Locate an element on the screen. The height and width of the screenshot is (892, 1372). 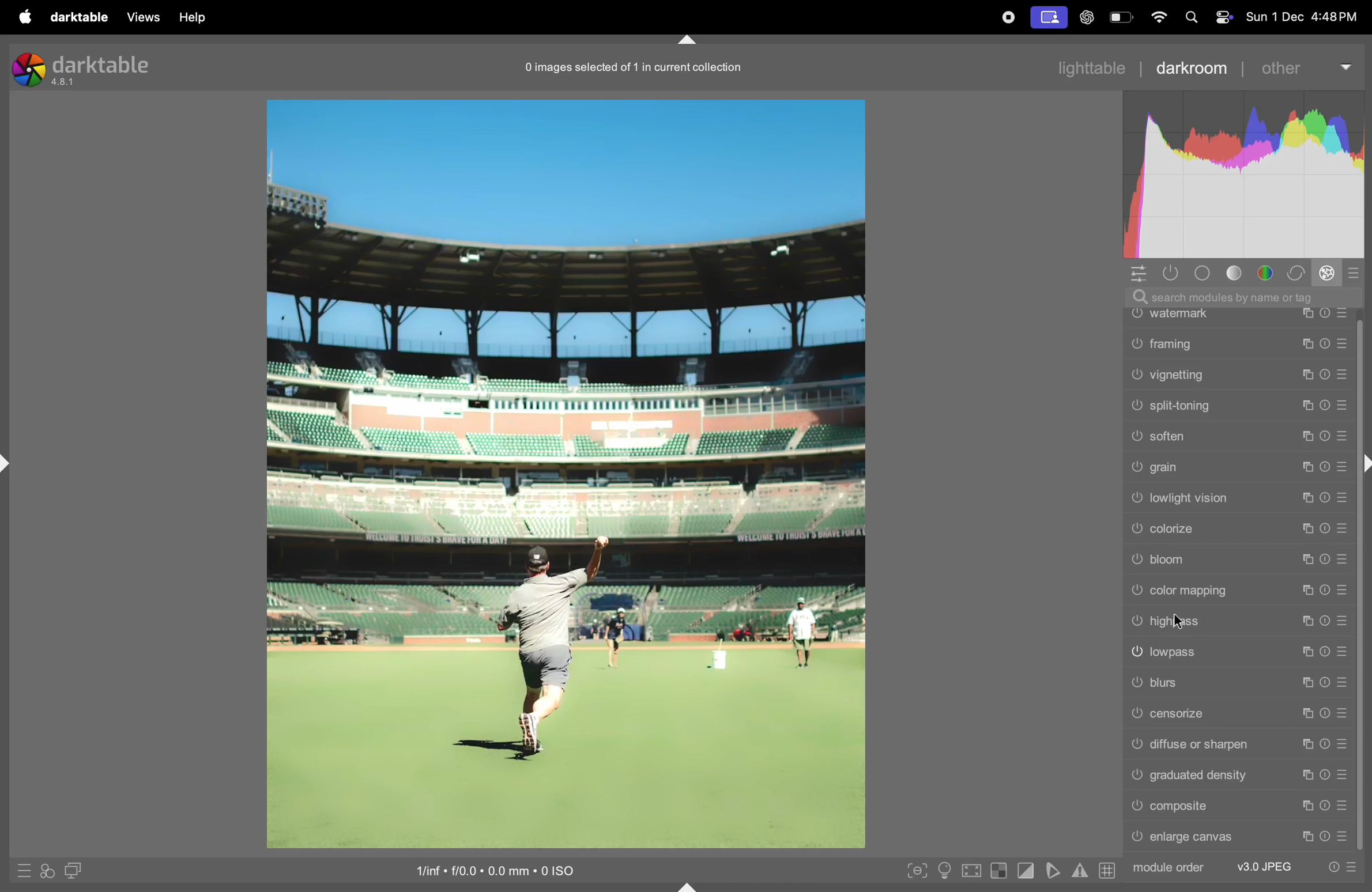
presets is located at coordinates (1352, 275).